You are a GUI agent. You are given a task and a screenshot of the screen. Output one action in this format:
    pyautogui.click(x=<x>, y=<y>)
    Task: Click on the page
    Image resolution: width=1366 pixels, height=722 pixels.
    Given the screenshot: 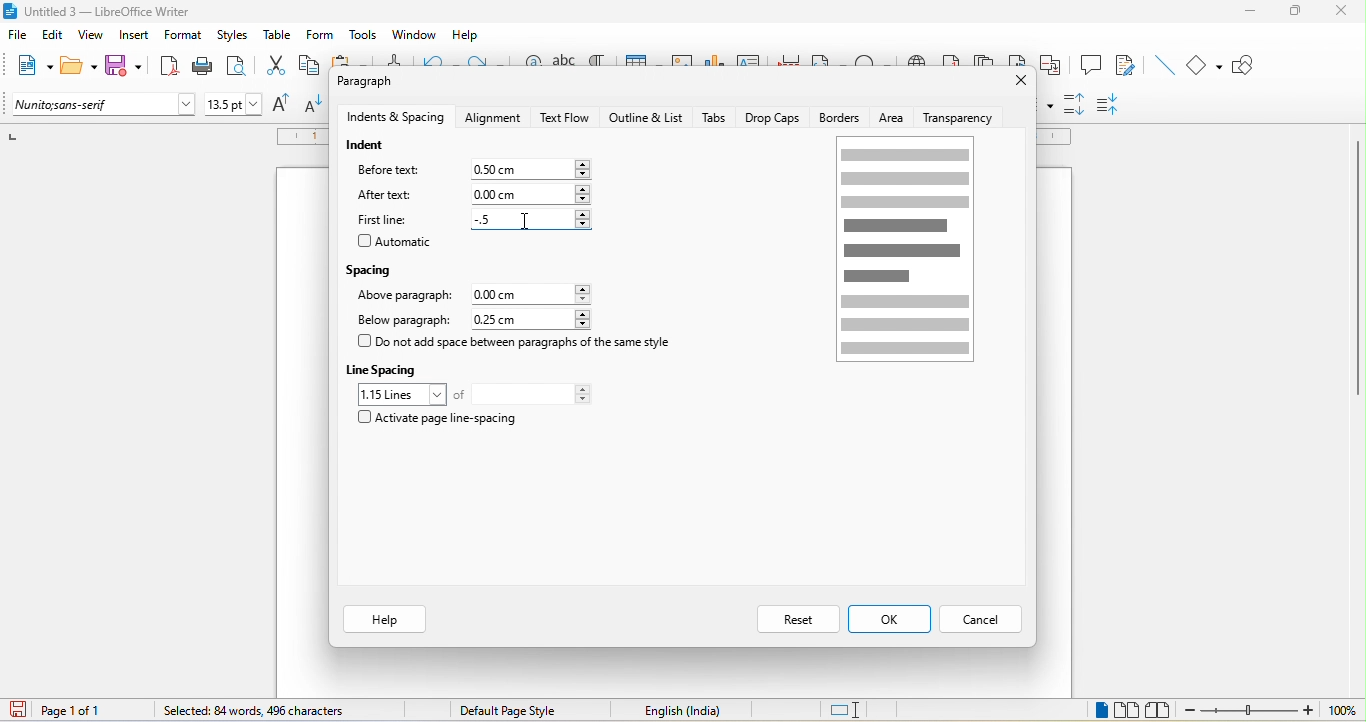 What is the action you would take?
    pyautogui.click(x=906, y=250)
    